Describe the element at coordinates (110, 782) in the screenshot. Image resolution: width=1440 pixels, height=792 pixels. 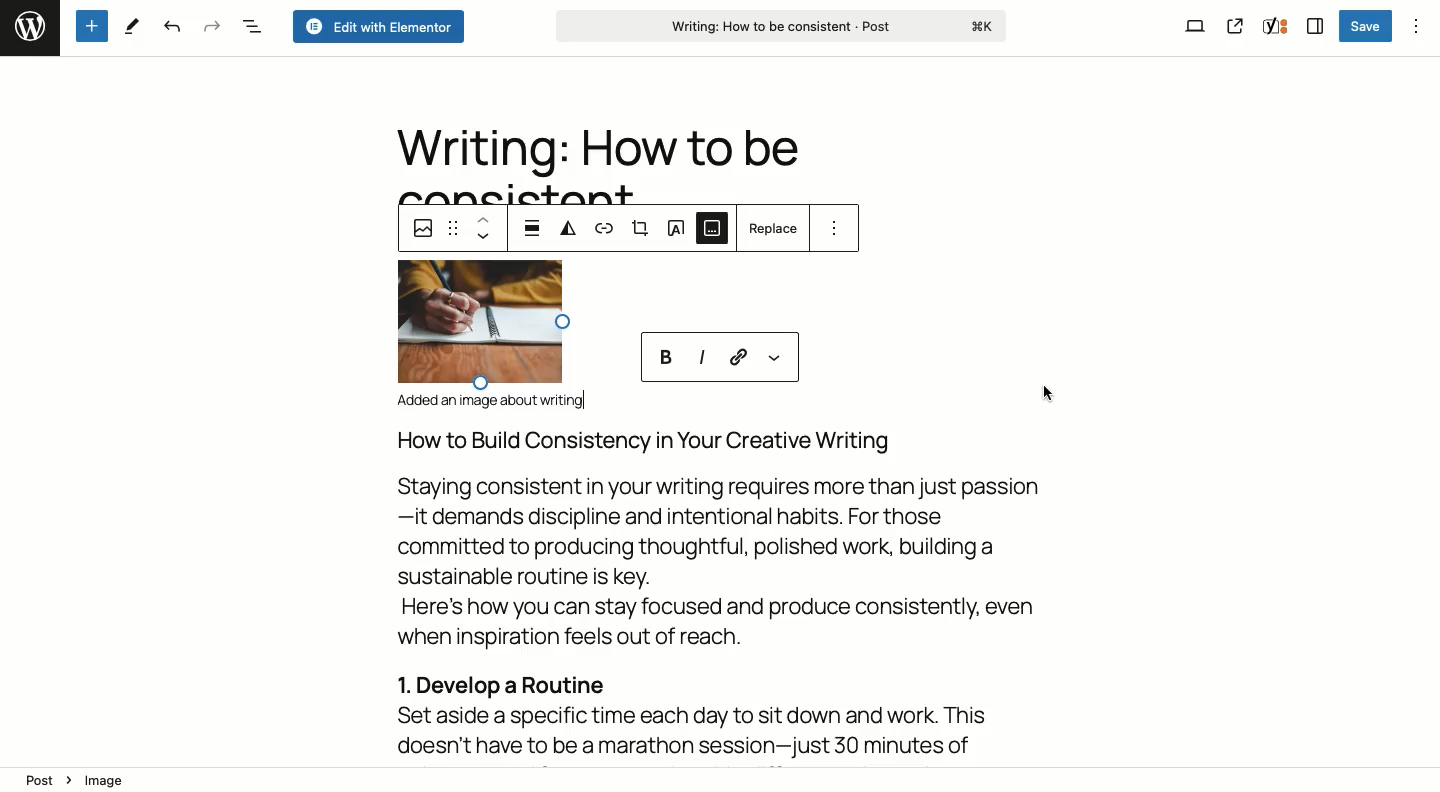
I see `image` at that location.